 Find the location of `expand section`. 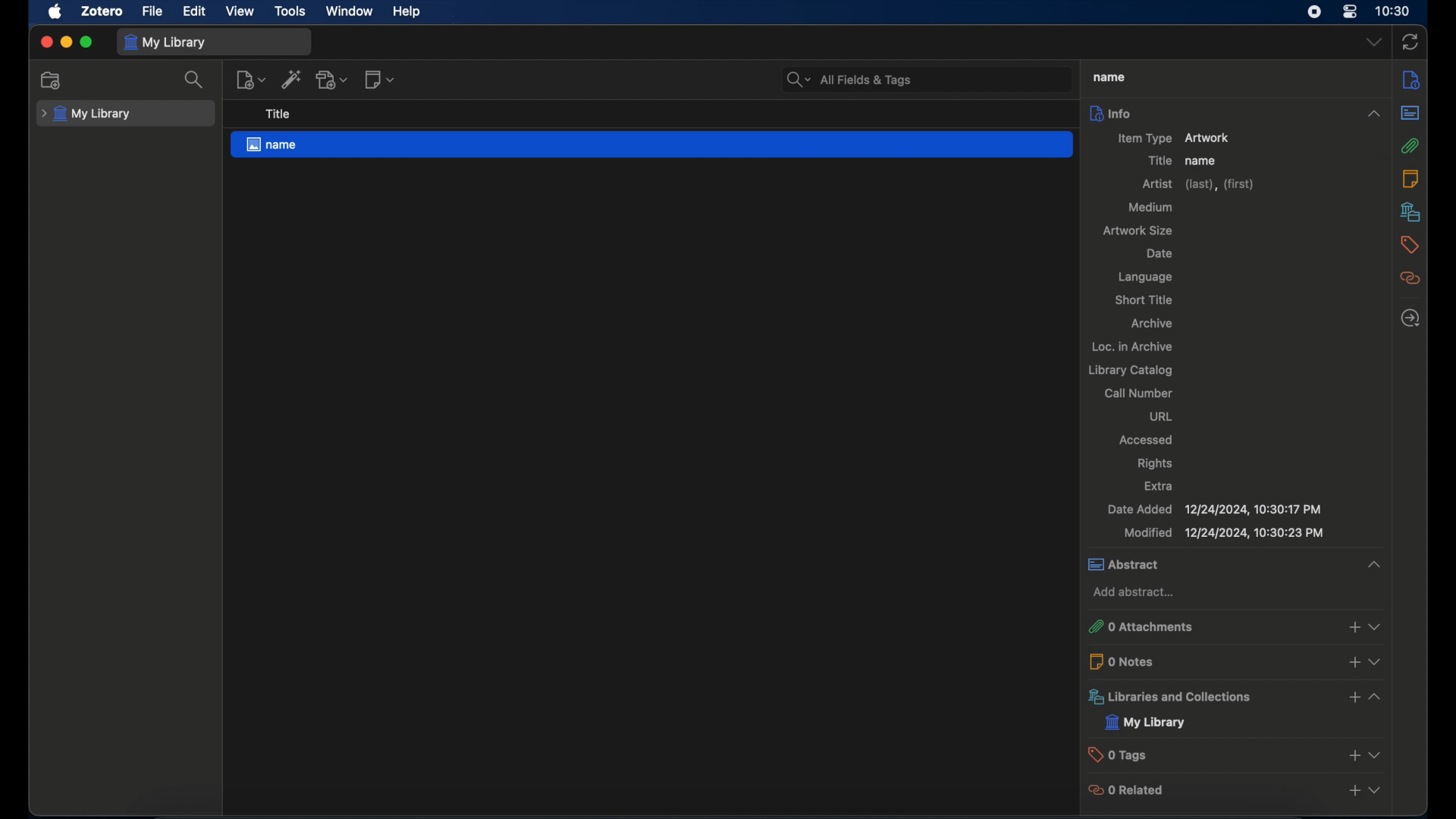

expand section is located at coordinates (1374, 566).